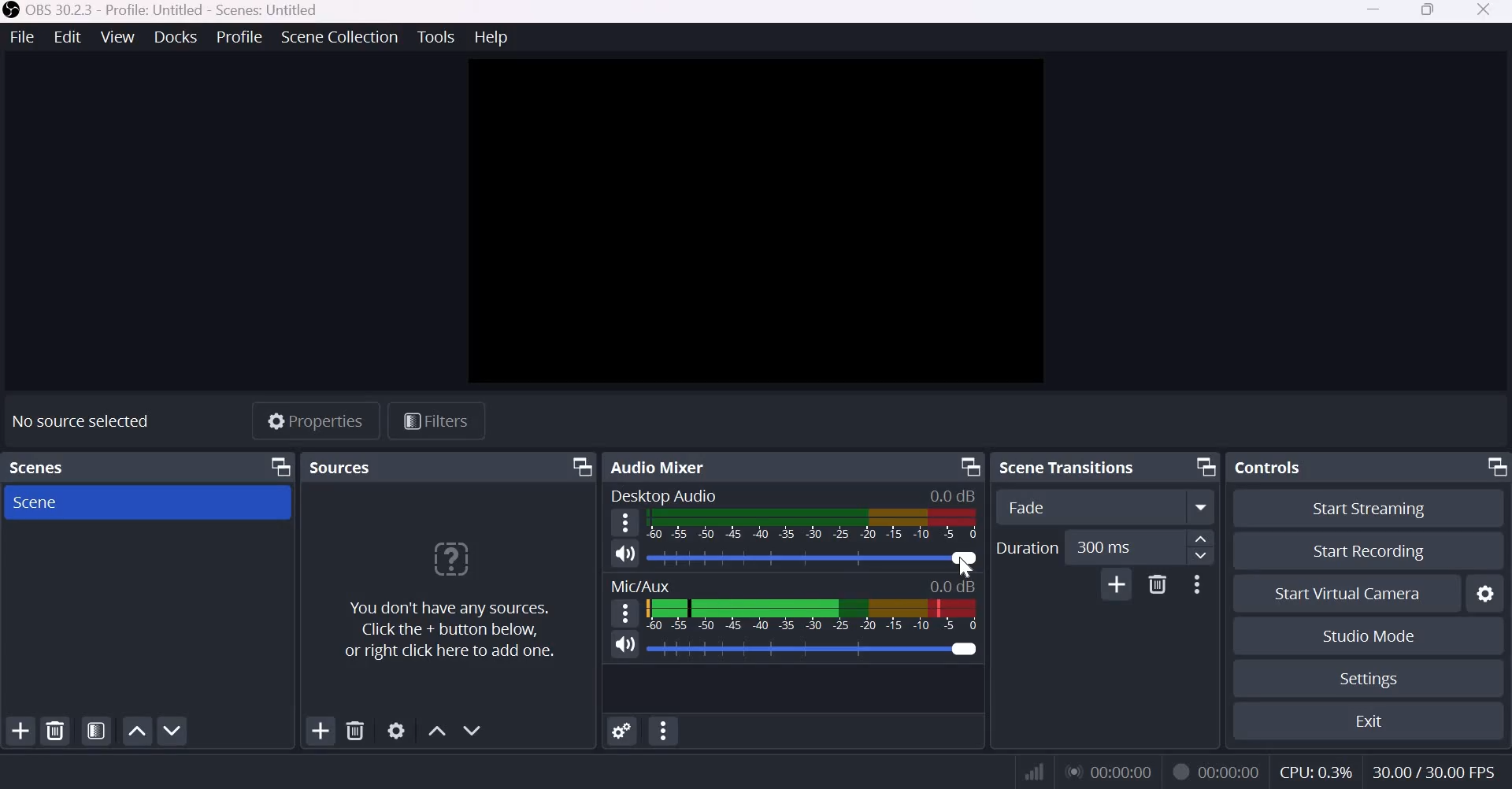  Describe the element at coordinates (68, 36) in the screenshot. I see `Edit` at that location.